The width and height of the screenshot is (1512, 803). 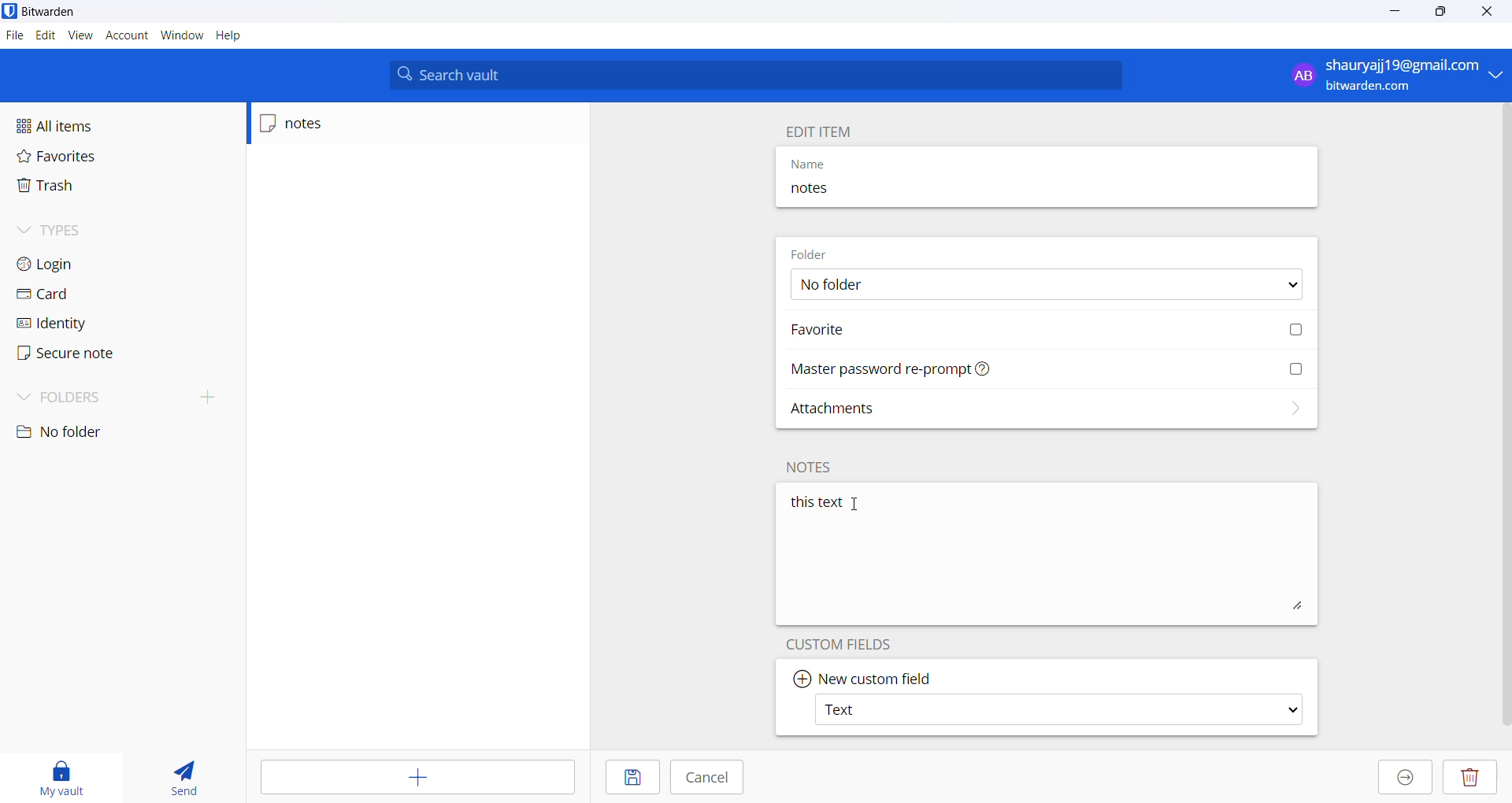 I want to click on favorite, so click(x=1048, y=328).